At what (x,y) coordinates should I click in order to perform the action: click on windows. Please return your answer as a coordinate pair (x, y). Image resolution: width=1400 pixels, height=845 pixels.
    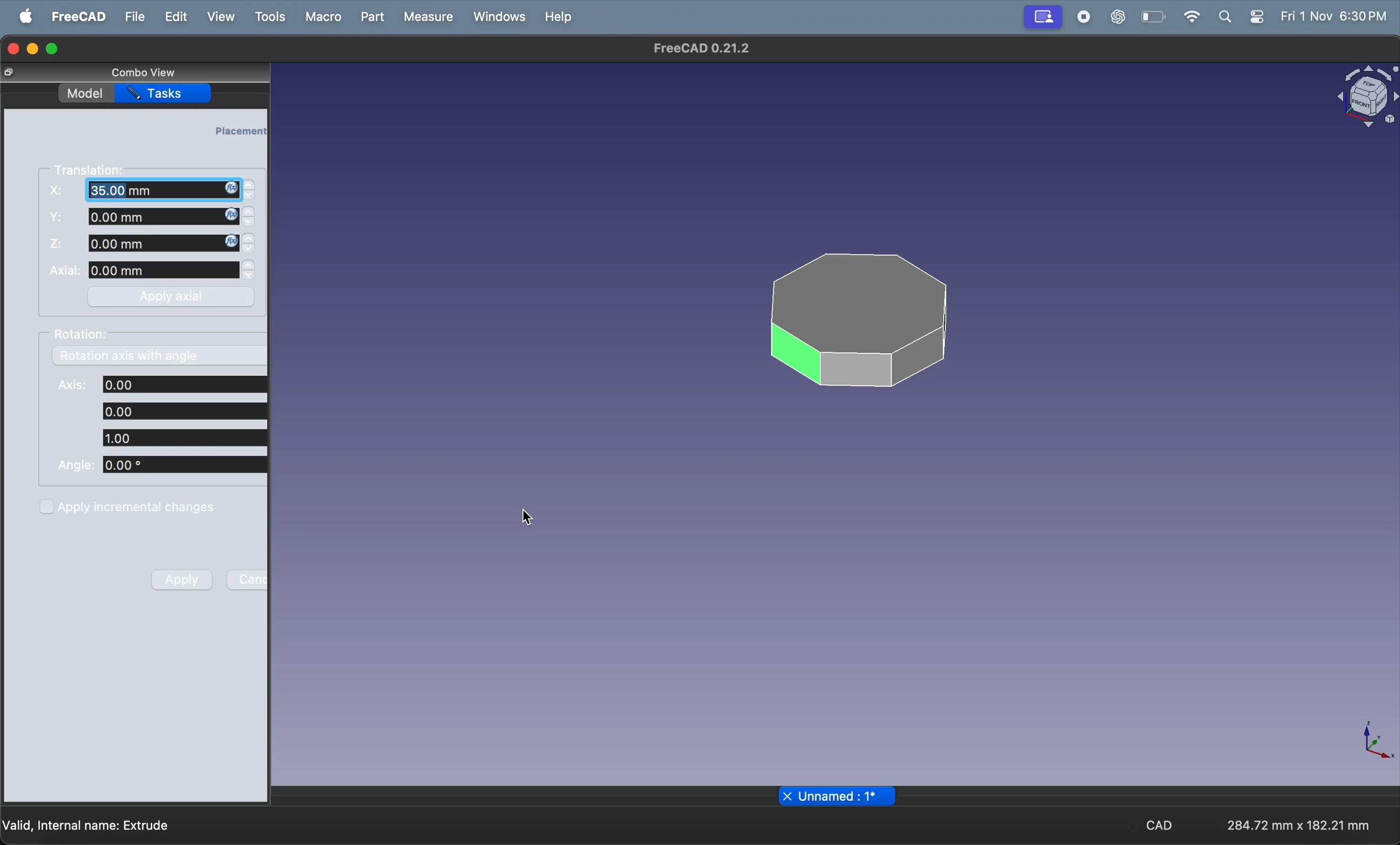
    Looking at the image, I should click on (498, 16).